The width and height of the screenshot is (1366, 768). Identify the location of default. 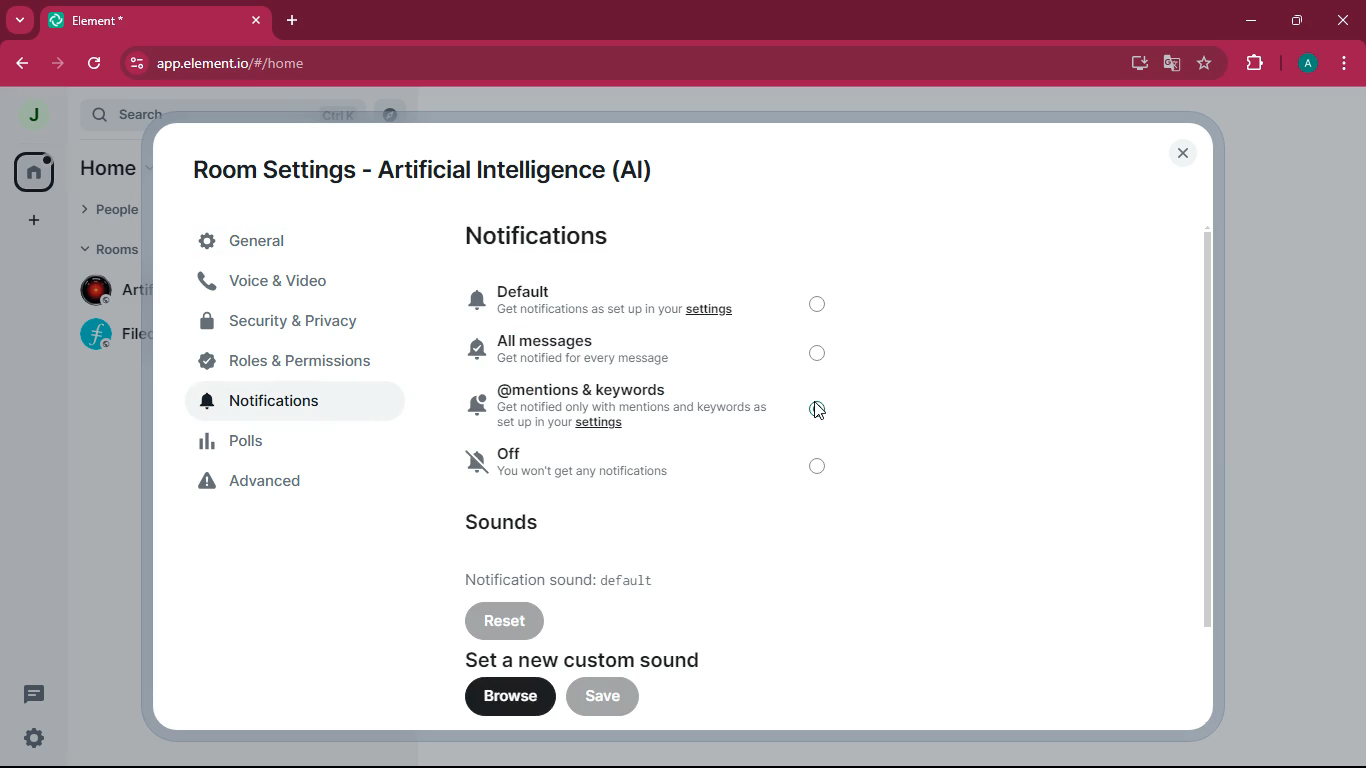
(578, 578).